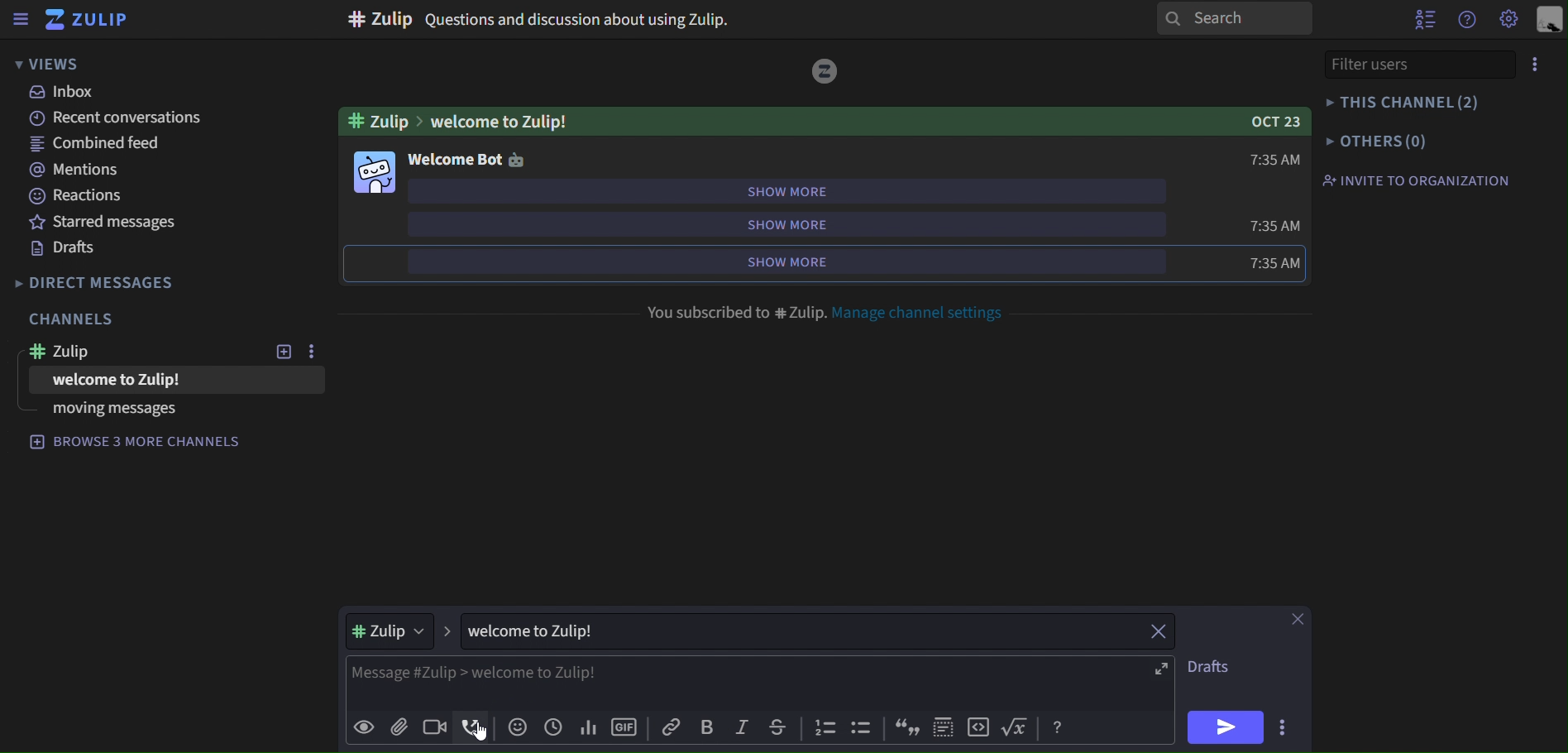 Image resolution: width=1568 pixels, height=753 pixels. Describe the element at coordinates (361, 725) in the screenshot. I see `preview` at that location.